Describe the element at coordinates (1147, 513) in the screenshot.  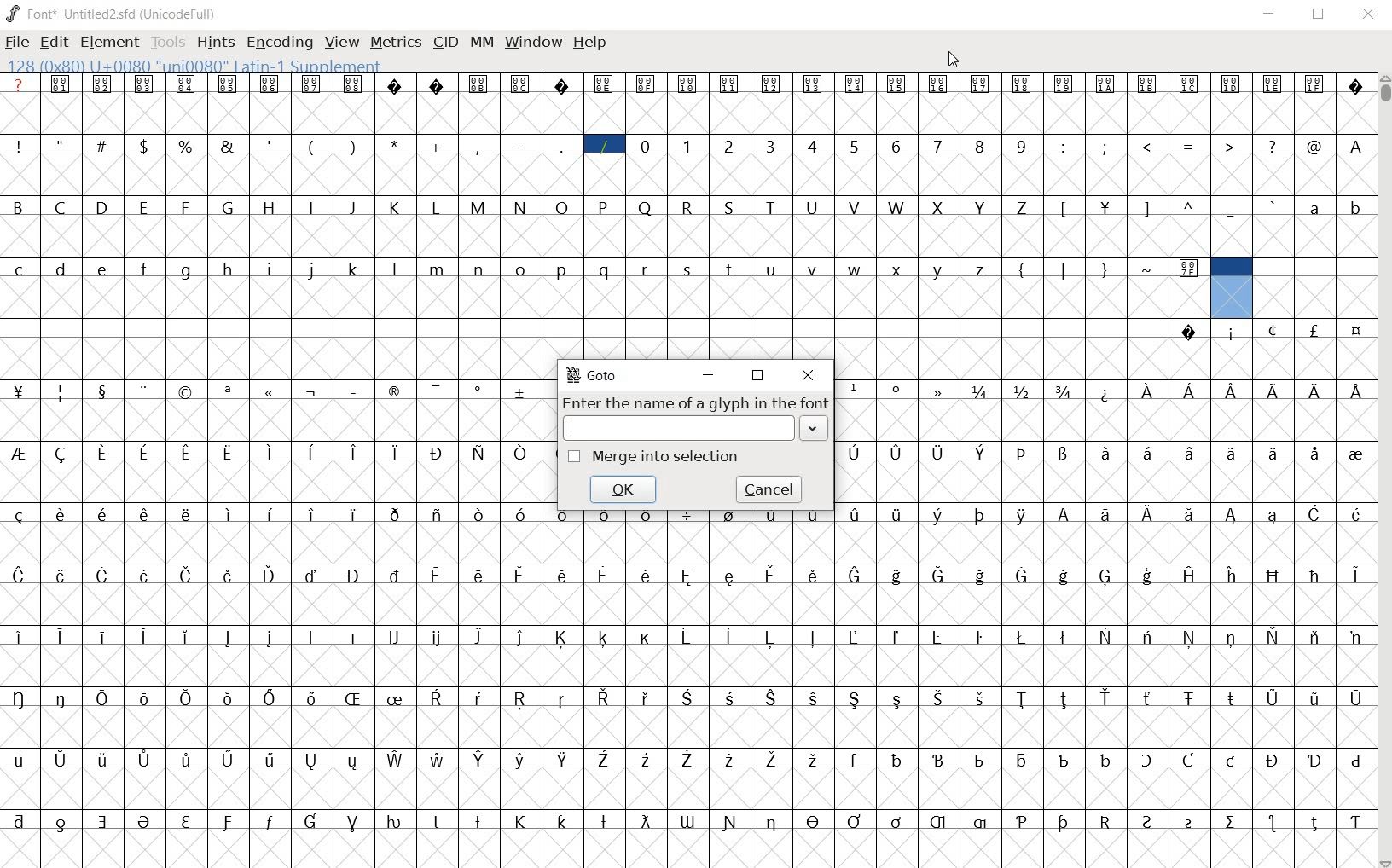
I see `Symbol` at that location.